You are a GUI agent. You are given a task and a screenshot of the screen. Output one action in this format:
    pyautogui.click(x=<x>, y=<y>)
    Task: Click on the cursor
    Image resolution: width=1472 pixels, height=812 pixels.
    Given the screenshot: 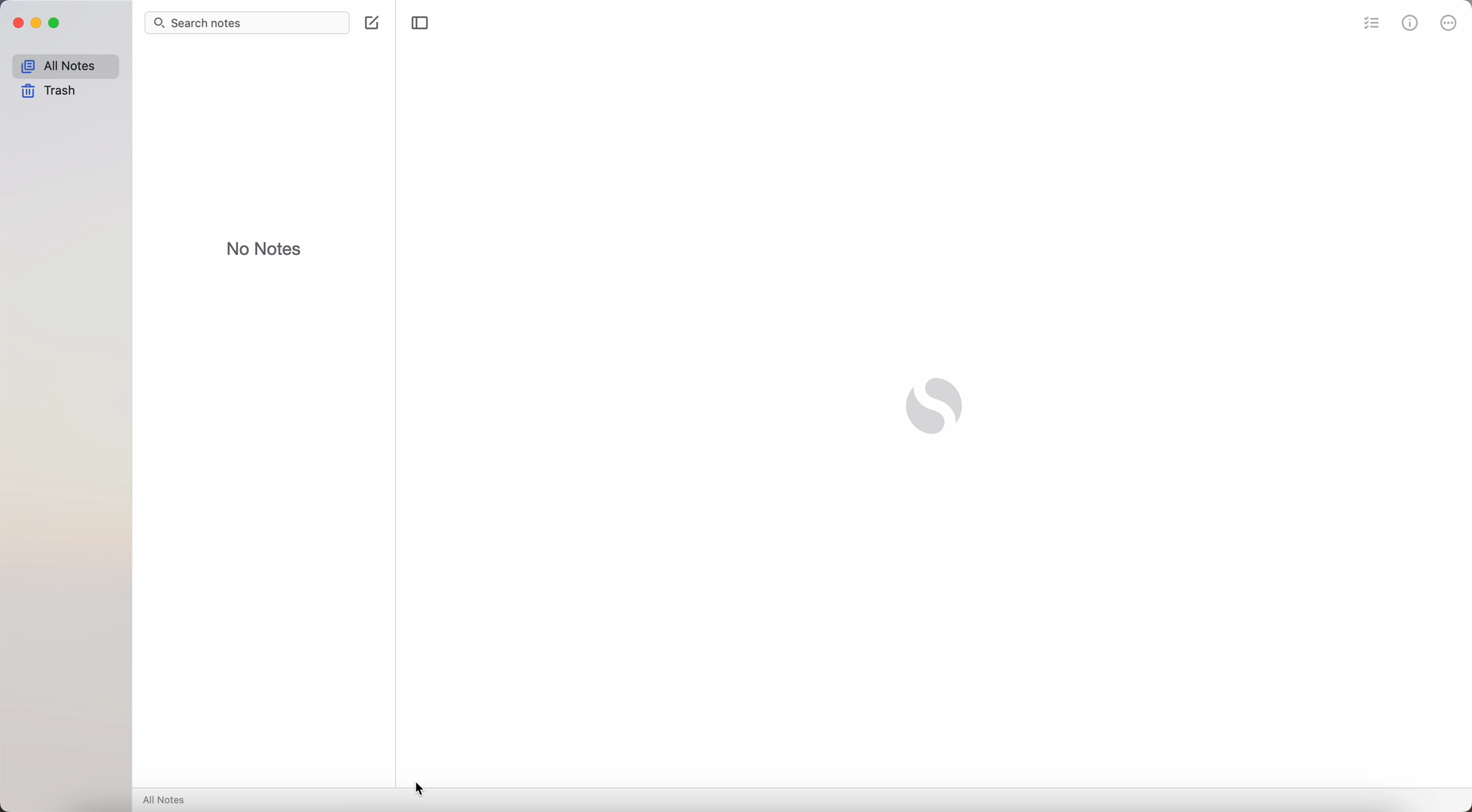 What is the action you would take?
    pyautogui.click(x=421, y=789)
    